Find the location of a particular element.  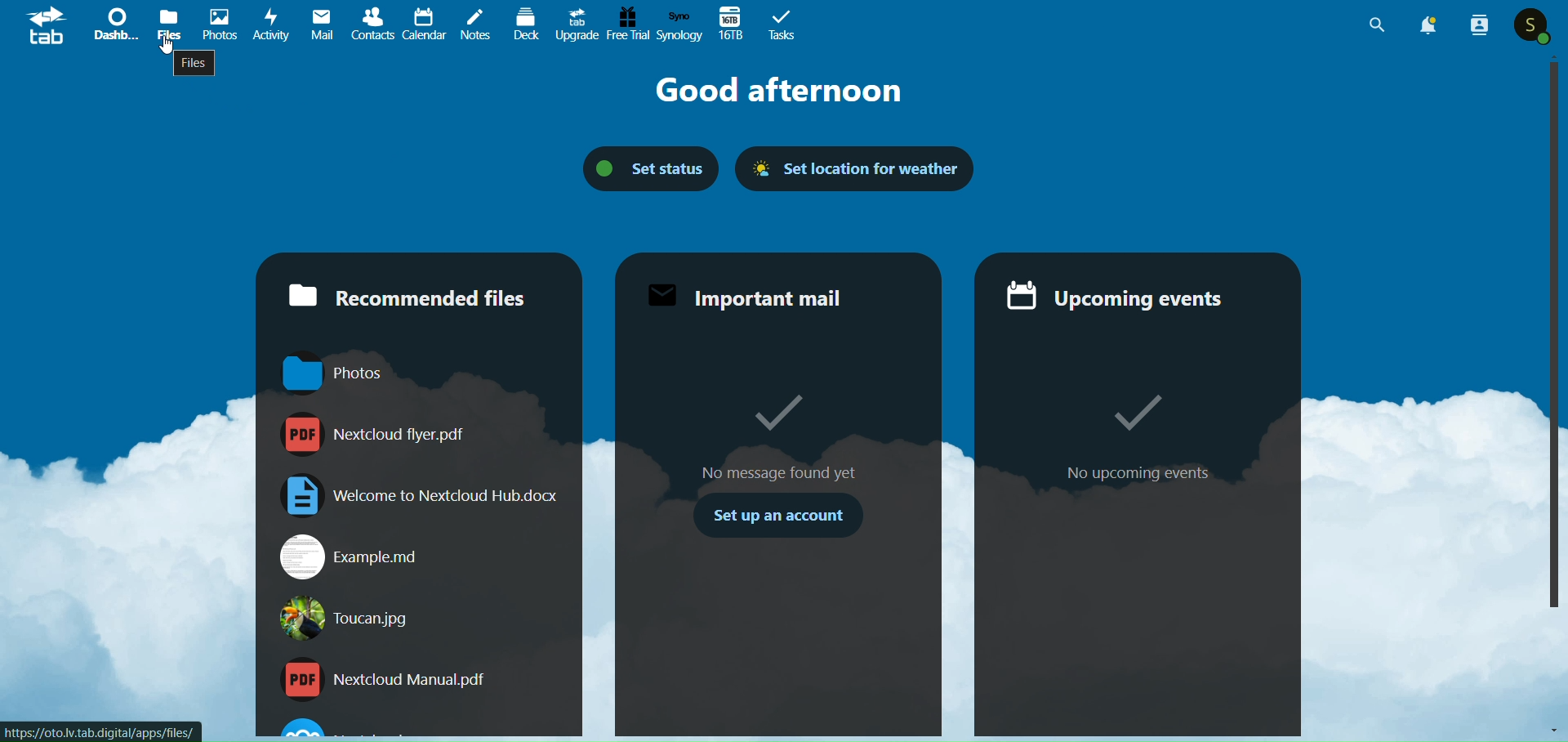

set status is located at coordinates (639, 168).